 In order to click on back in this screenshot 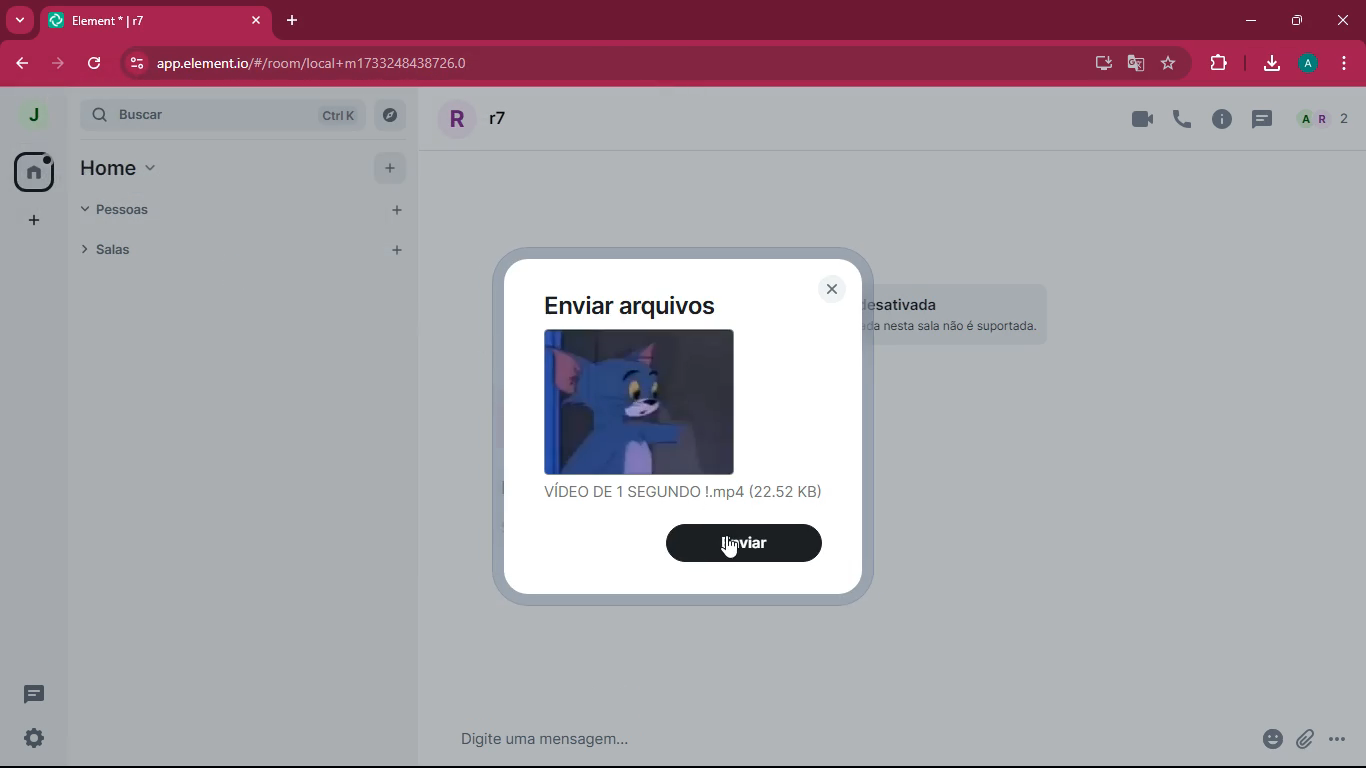, I will do `click(18, 65)`.